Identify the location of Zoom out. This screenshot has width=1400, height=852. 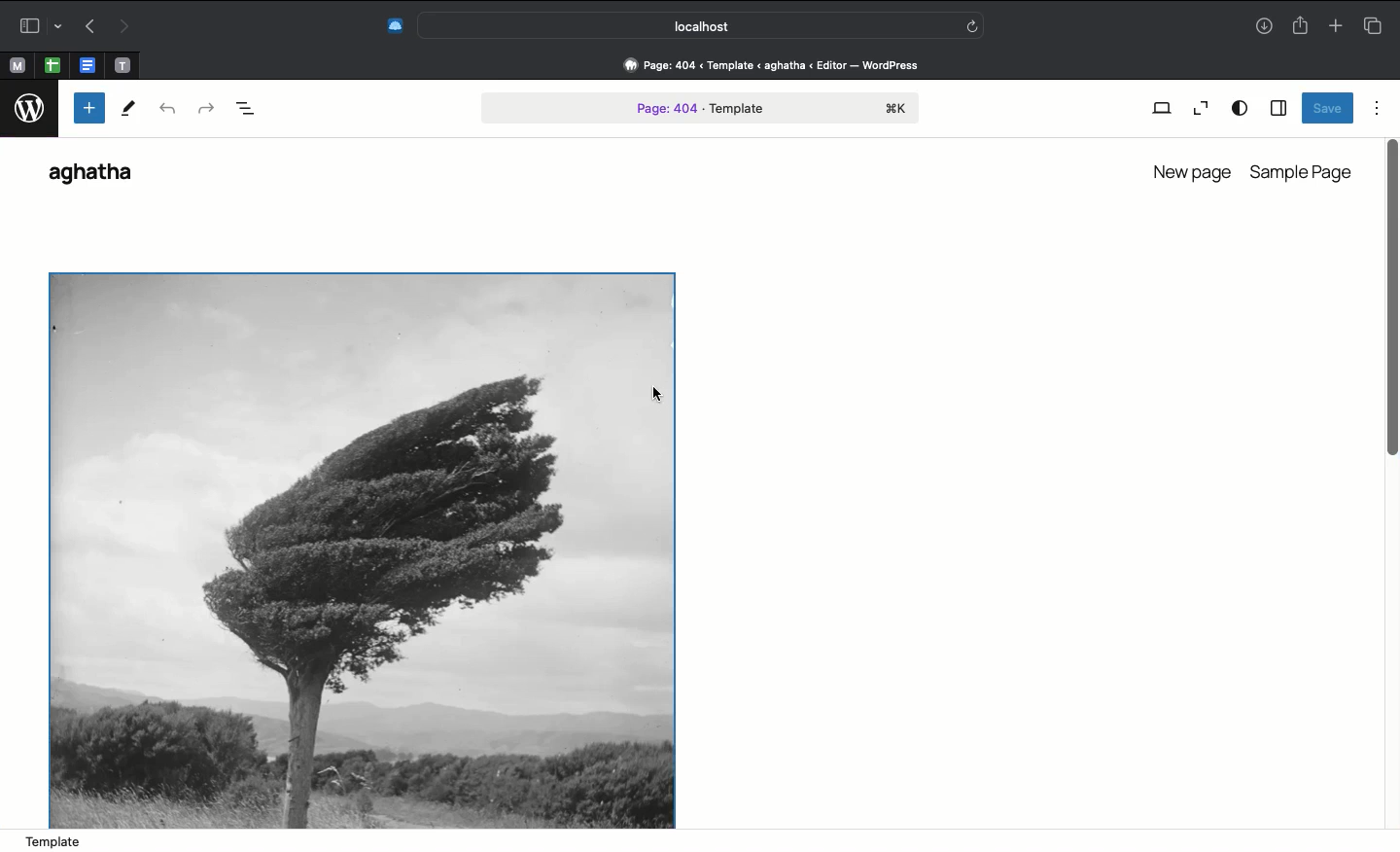
(1198, 109).